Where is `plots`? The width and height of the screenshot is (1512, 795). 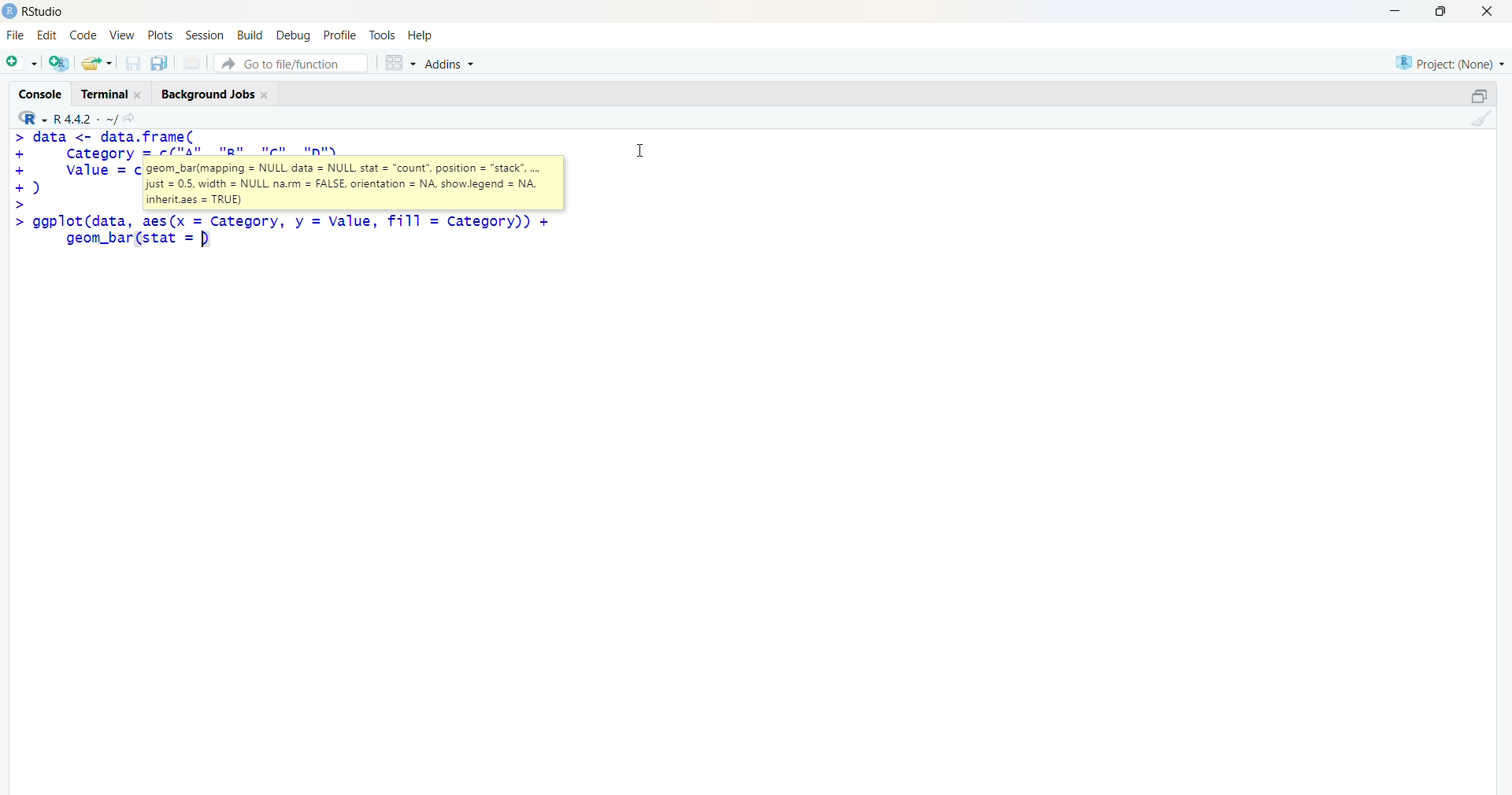 plots is located at coordinates (162, 35).